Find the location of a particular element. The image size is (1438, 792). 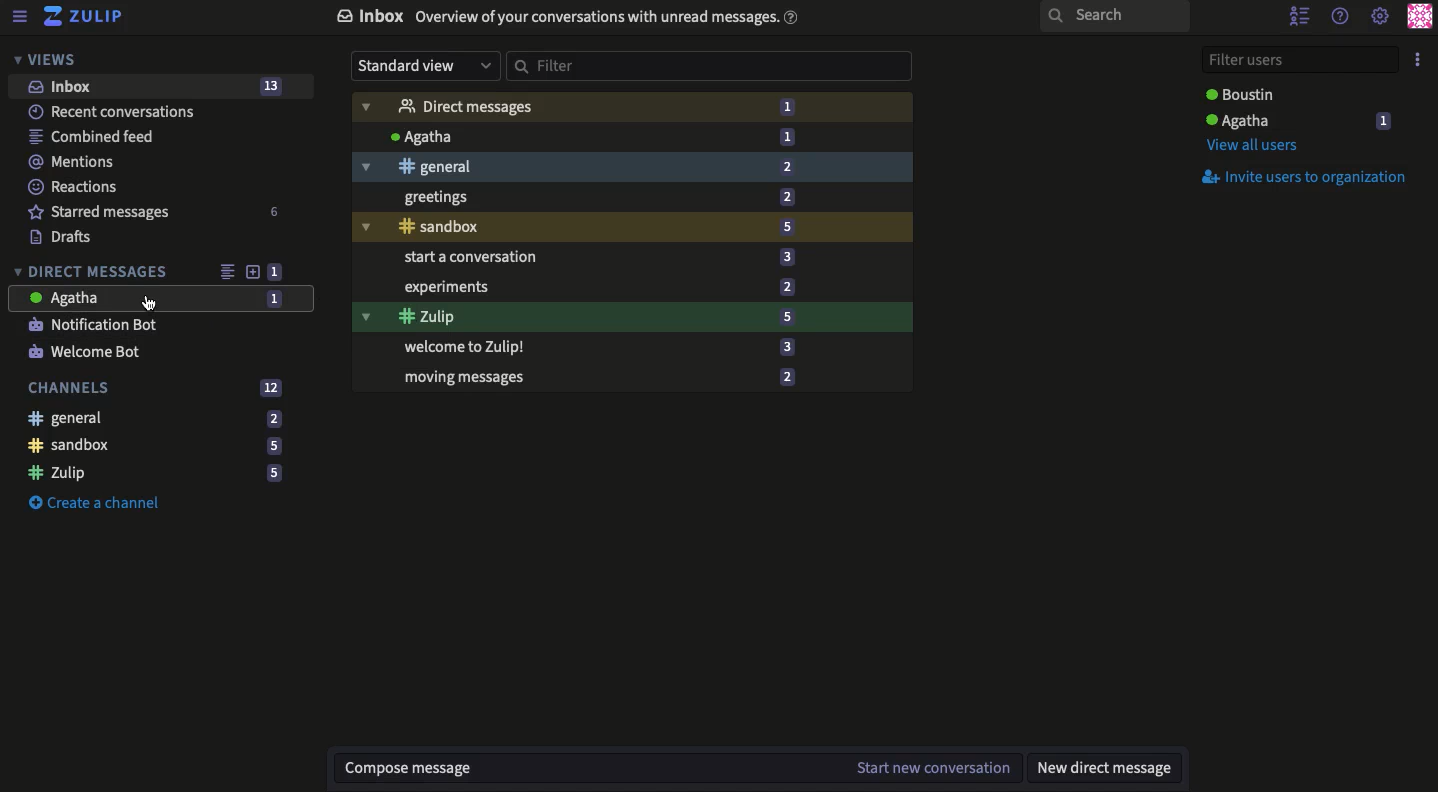

General is located at coordinates (155, 419).